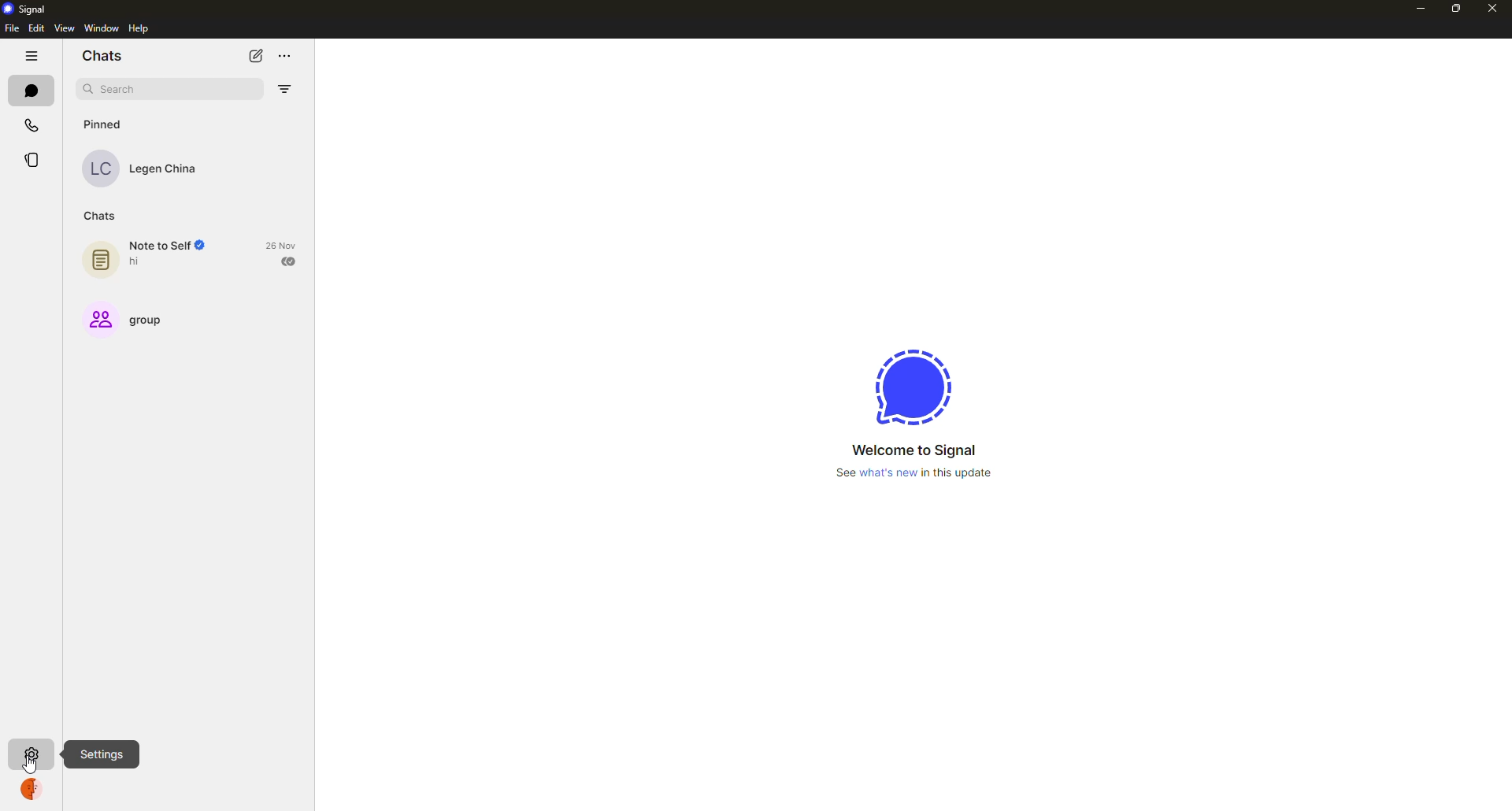  I want to click on minimize, so click(1420, 8).